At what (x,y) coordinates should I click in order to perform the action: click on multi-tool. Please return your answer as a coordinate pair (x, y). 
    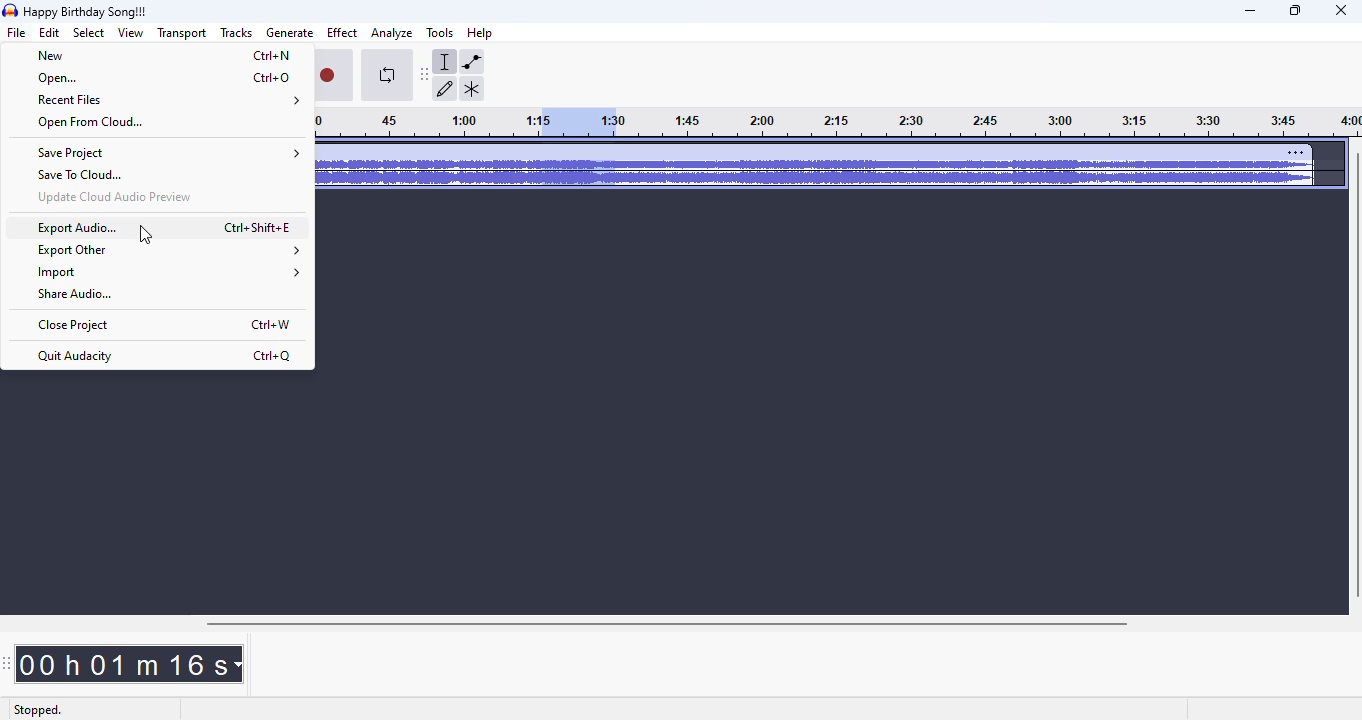
    Looking at the image, I should click on (472, 89).